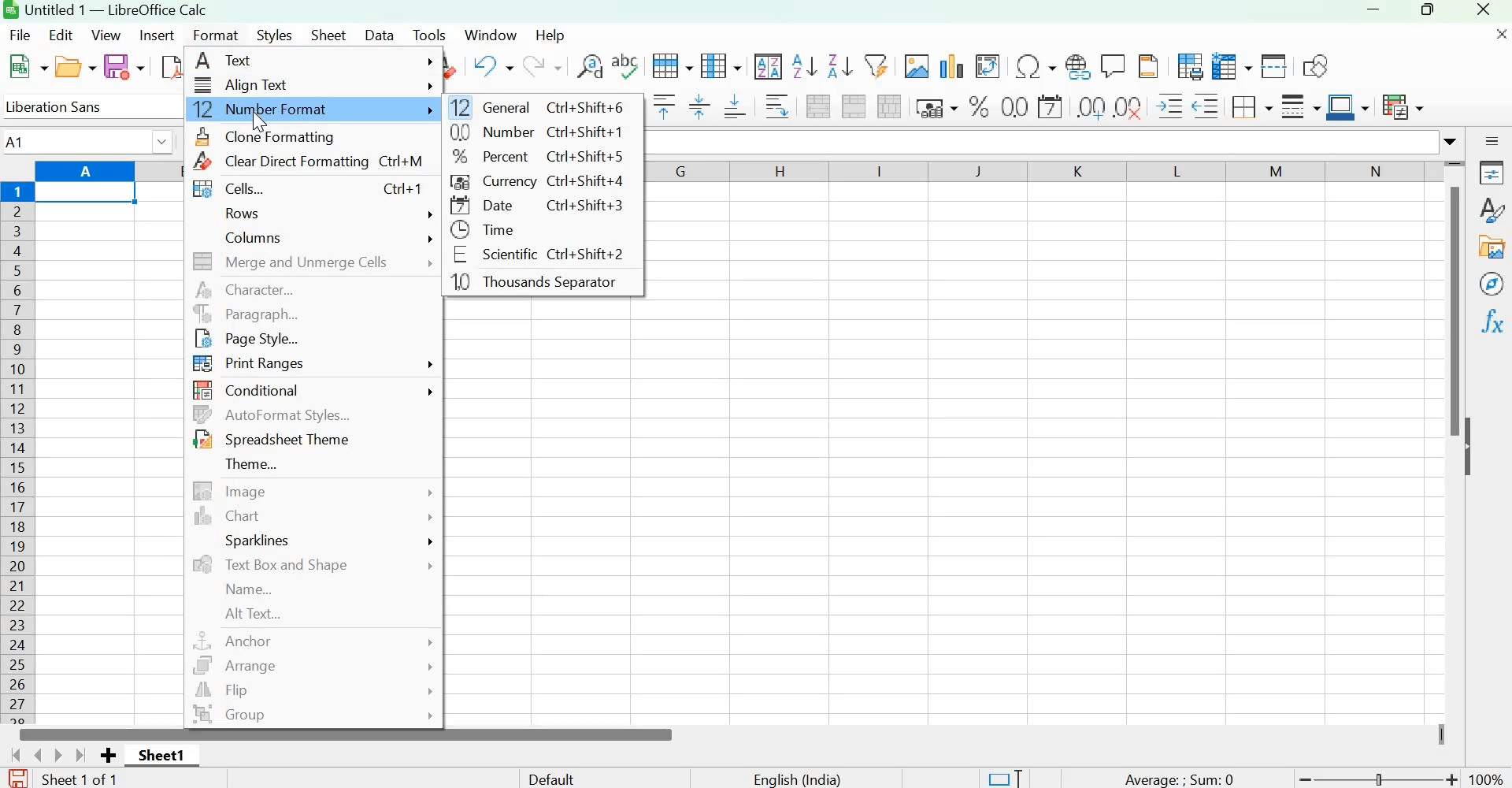 This screenshot has height=788, width=1512. Describe the element at coordinates (349, 735) in the screenshot. I see `Scrollbar` at that location.